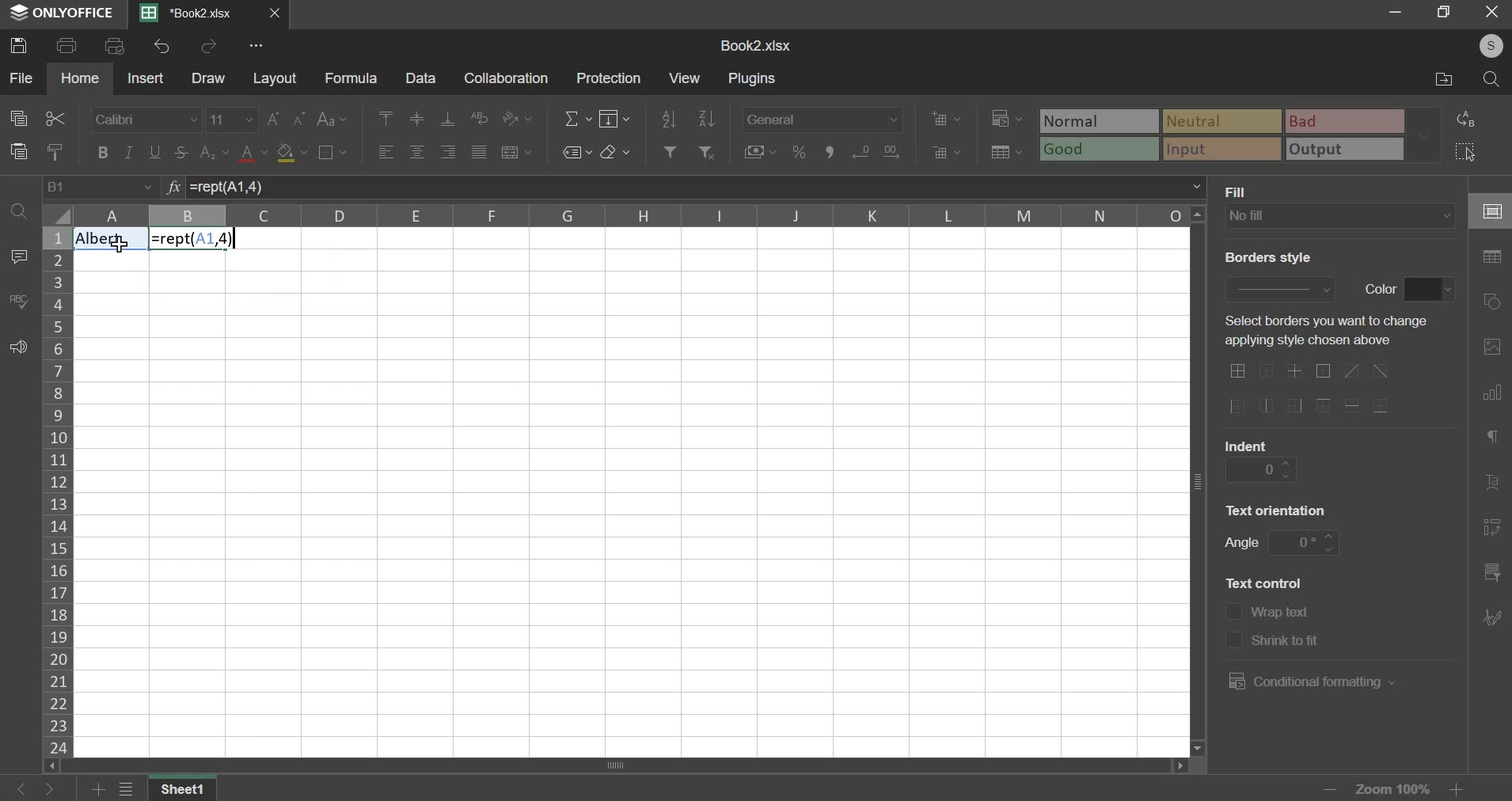 The height and width of the screenshot is (801, 1512). I want to click on add cells, so click(946, 117).